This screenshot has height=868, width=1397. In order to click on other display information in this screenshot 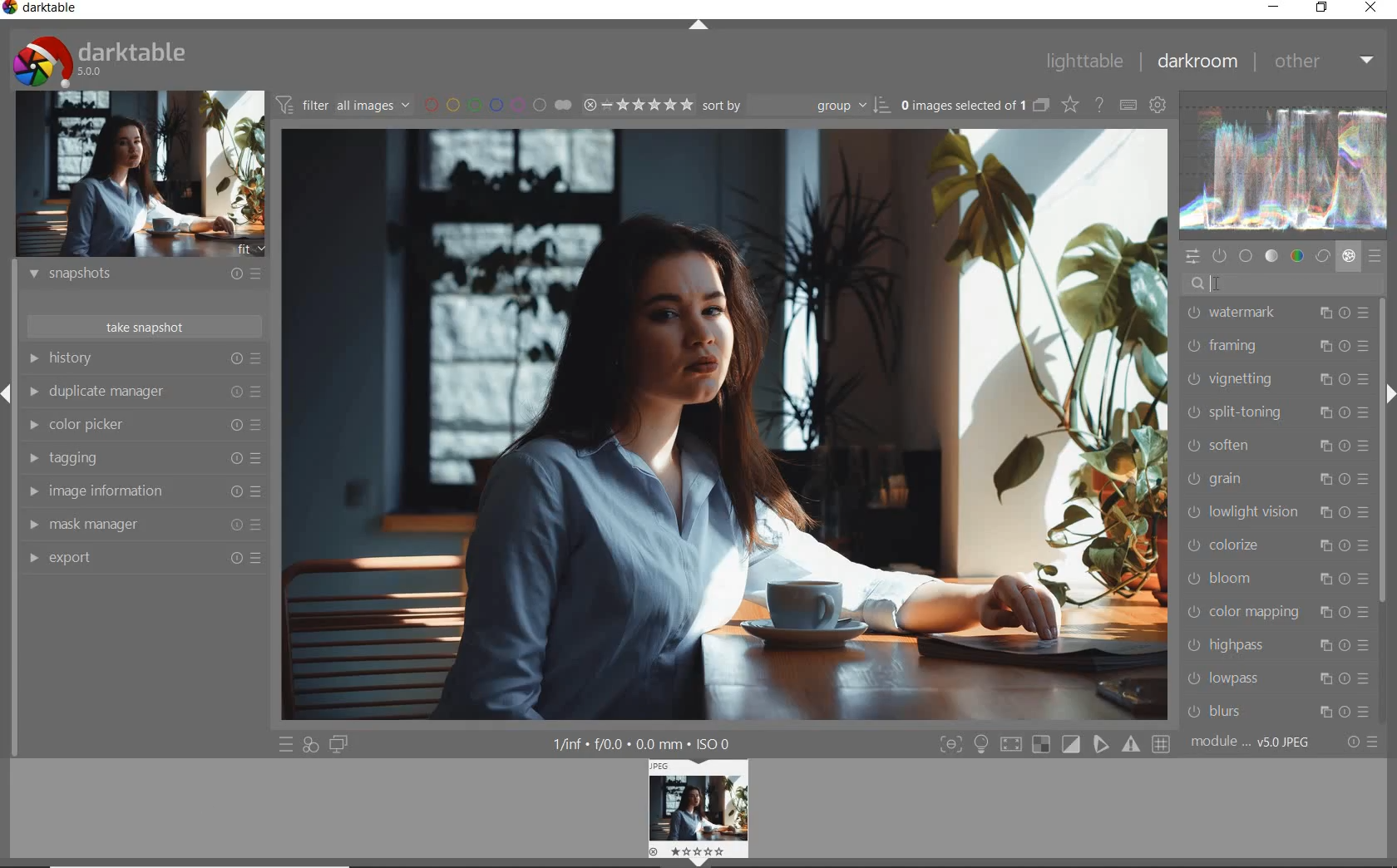, I will do `click(642, 743)`.